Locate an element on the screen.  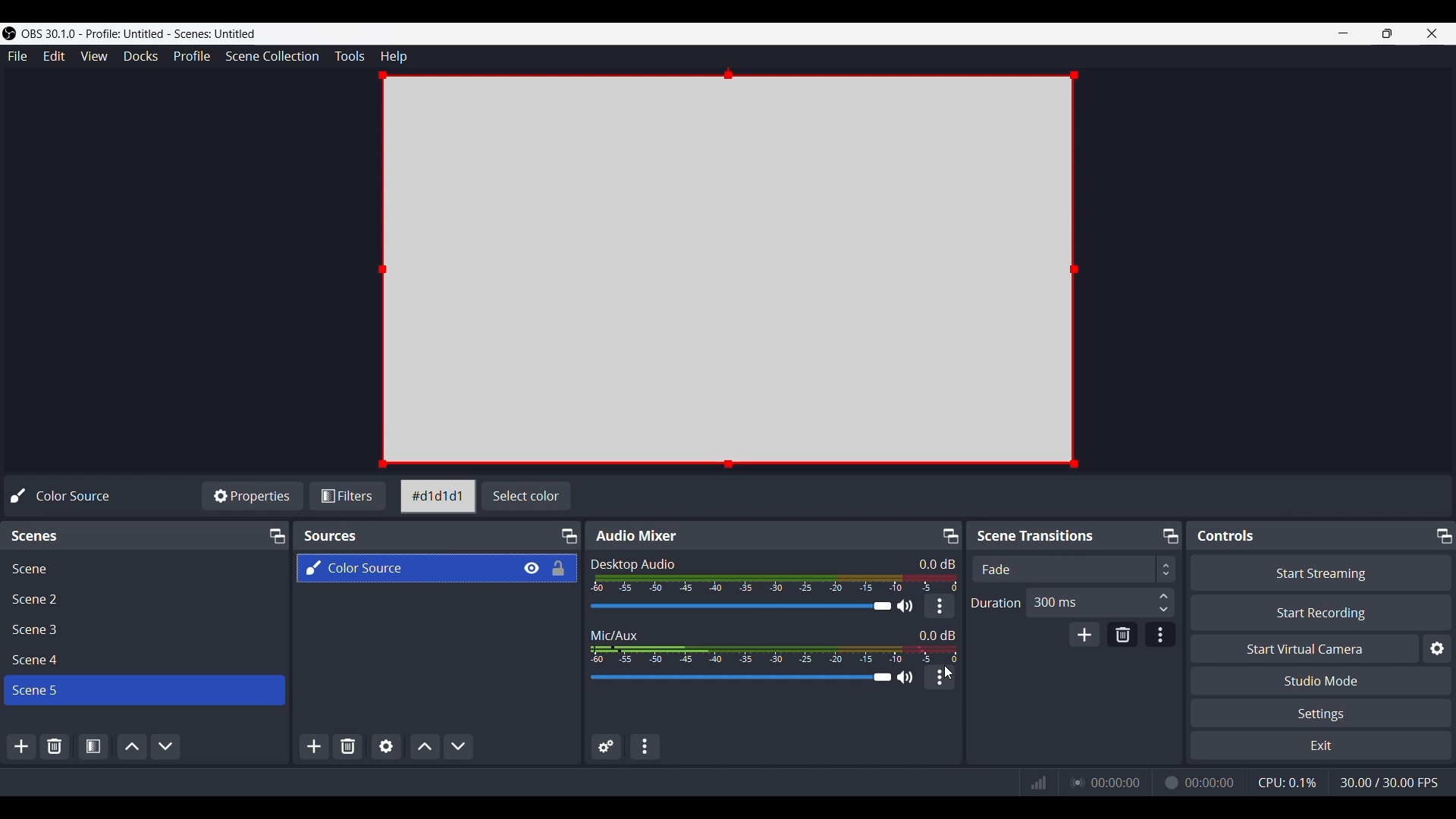
Text is located at coordinates (1225, 535).